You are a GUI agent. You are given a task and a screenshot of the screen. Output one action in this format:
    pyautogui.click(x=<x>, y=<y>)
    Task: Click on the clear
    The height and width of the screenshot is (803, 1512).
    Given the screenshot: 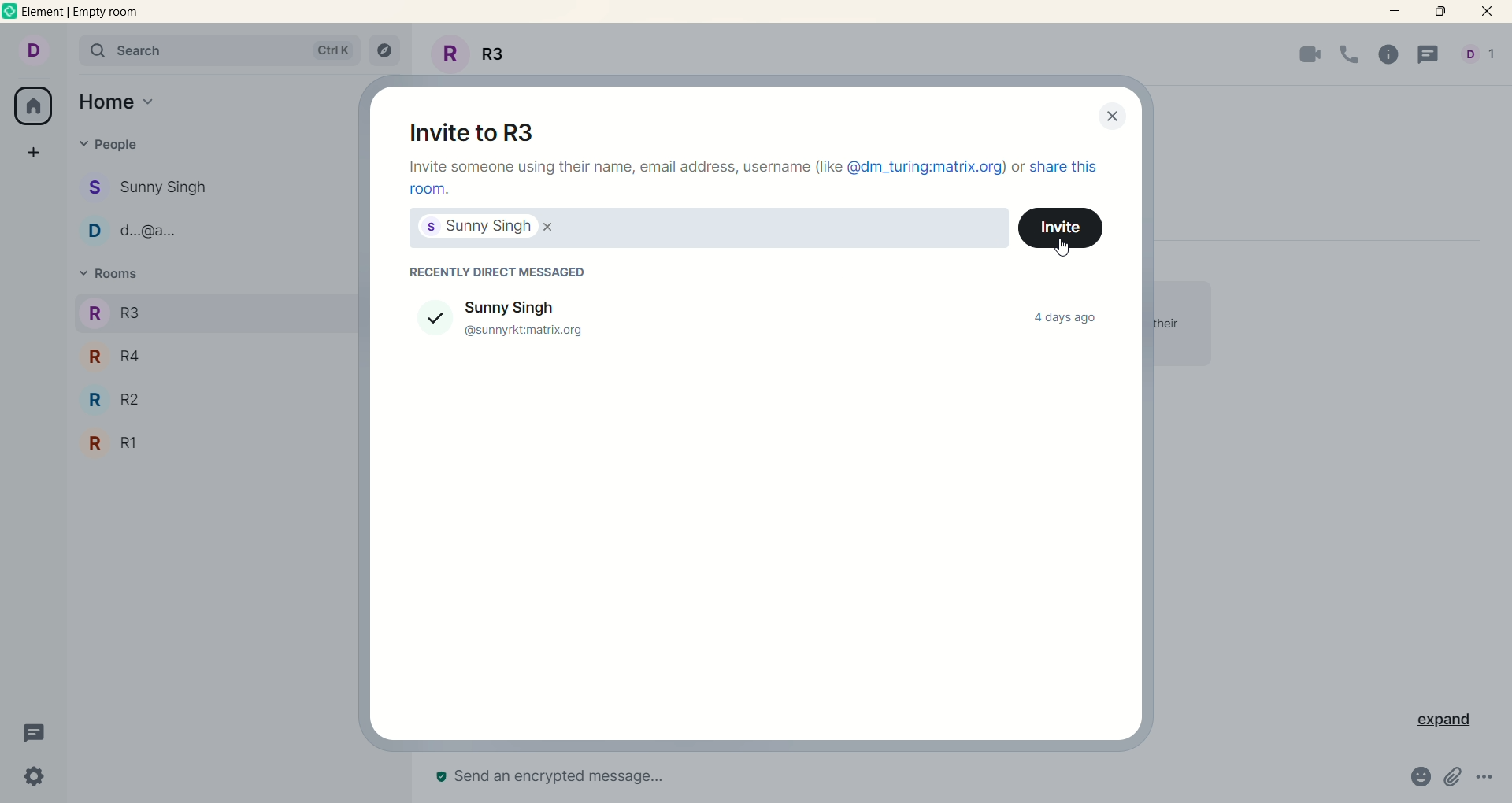 What is the action you would take?
    pyautogui.click(x=554, y=227)
    